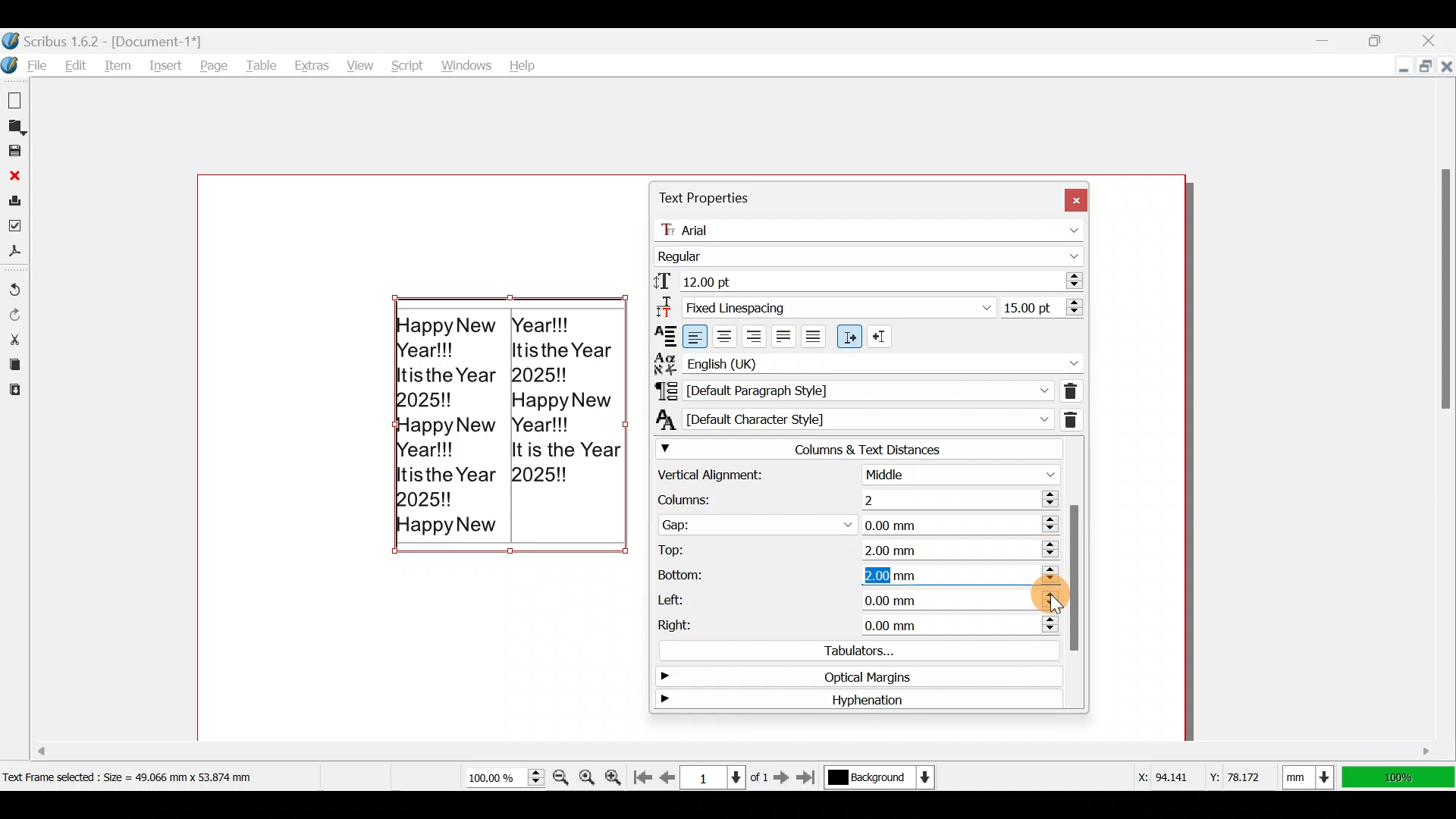 The image size is (1456, 819). Describe the element at coordinates (866, 281) in the screenshot. I see `Font size` at that location.